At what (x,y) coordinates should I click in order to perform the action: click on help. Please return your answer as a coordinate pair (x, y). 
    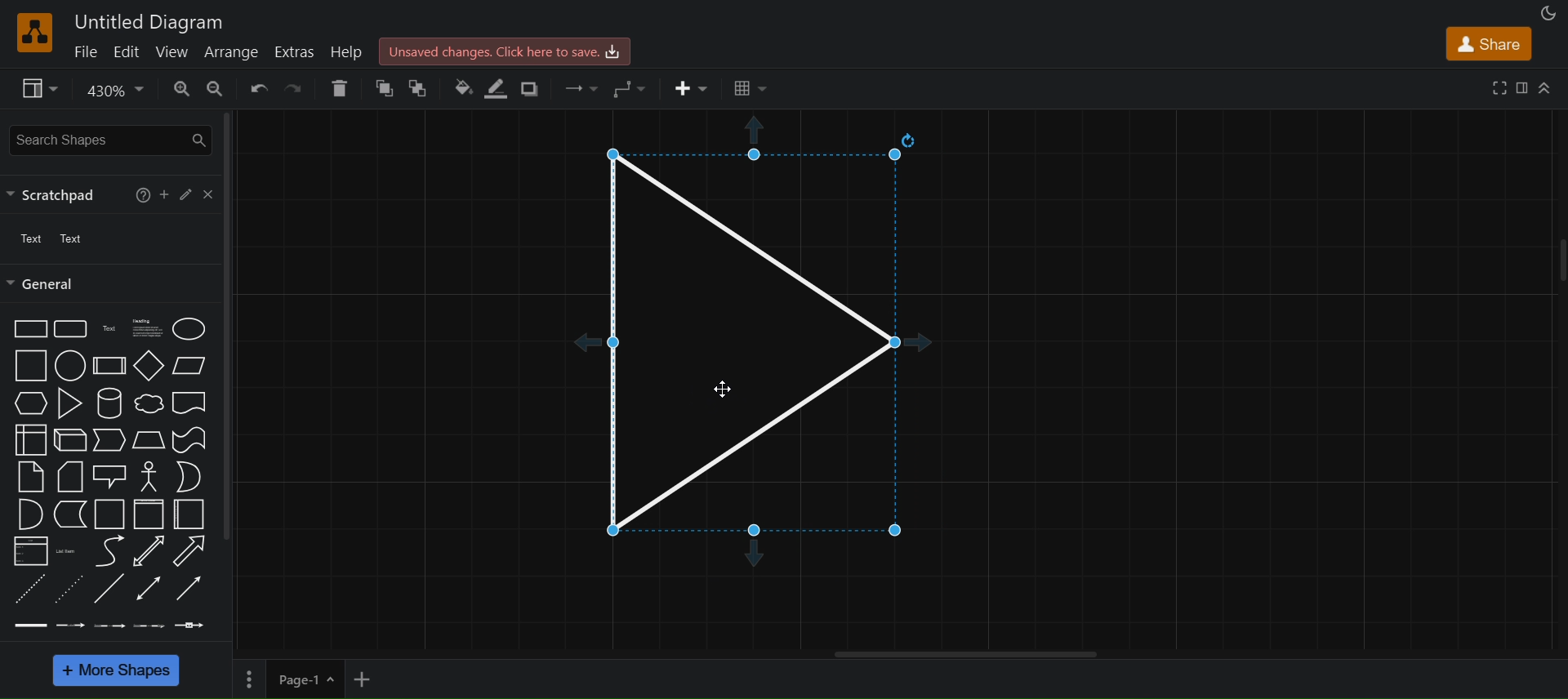
    Looking at the image, I should click on (345, 51).